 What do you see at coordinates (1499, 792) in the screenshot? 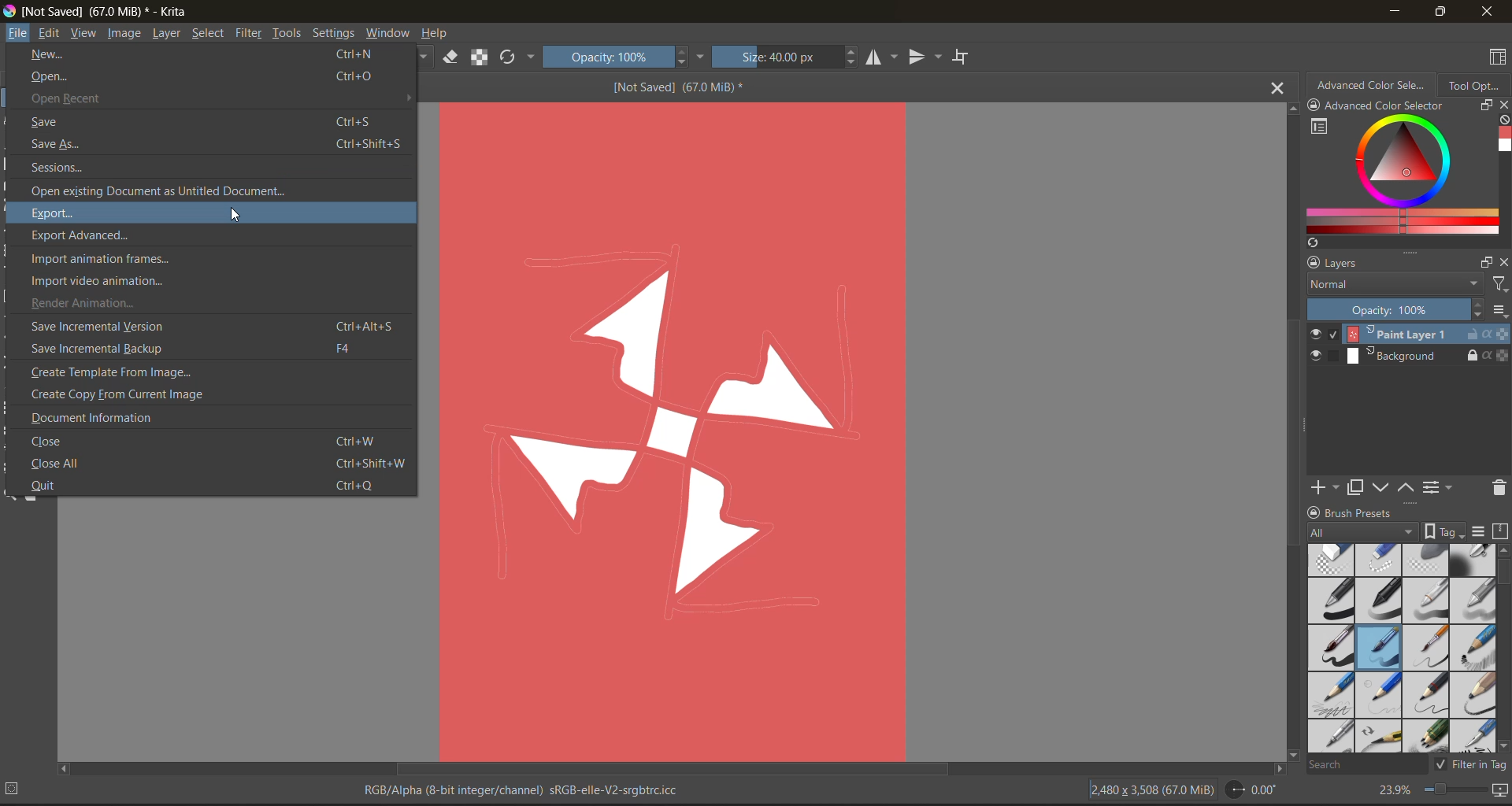
I see `map the canvas` at bounding box center [1499, 792].